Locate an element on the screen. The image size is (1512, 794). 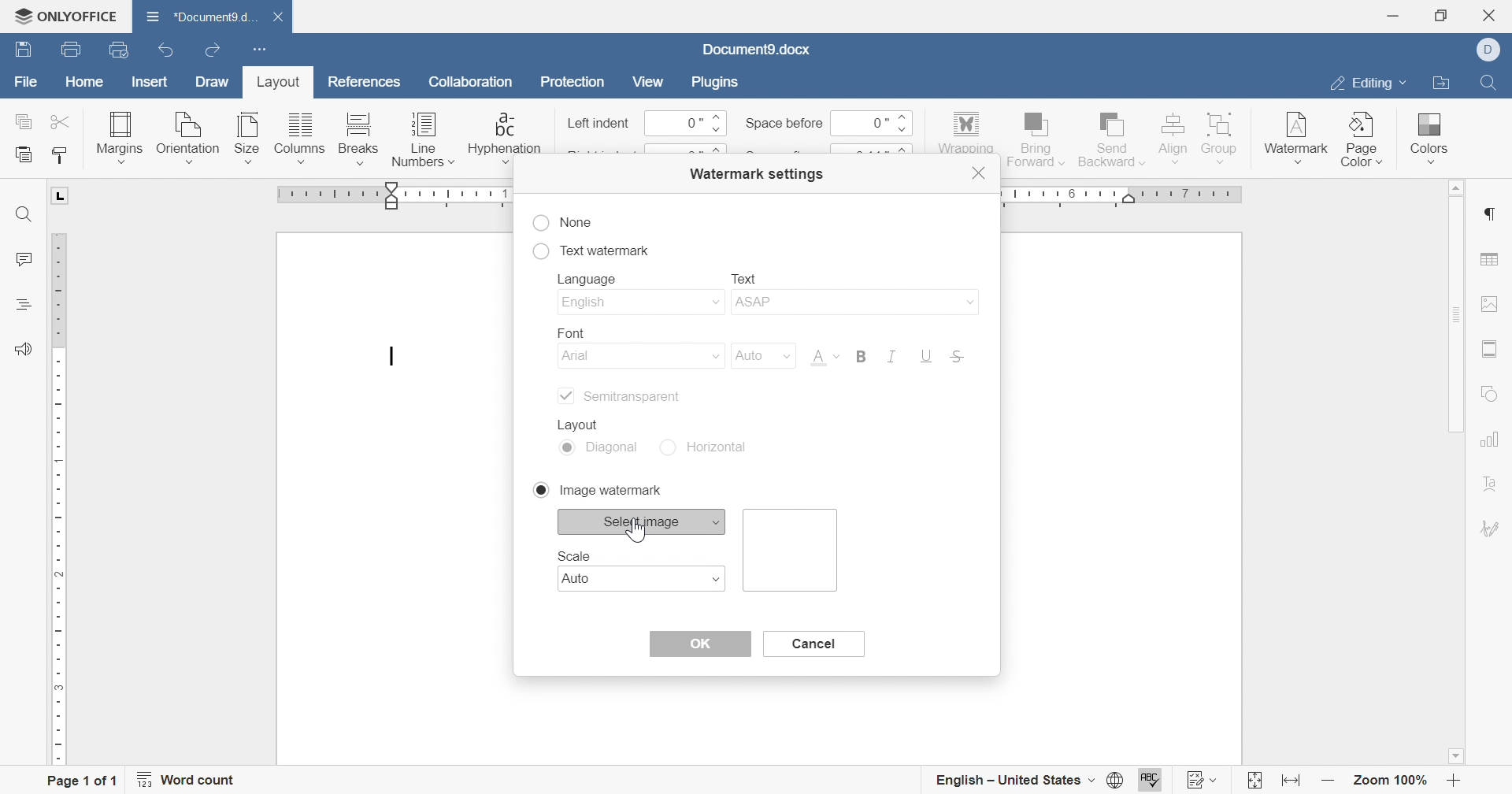
send backward is located at coordinates (1113, 137).